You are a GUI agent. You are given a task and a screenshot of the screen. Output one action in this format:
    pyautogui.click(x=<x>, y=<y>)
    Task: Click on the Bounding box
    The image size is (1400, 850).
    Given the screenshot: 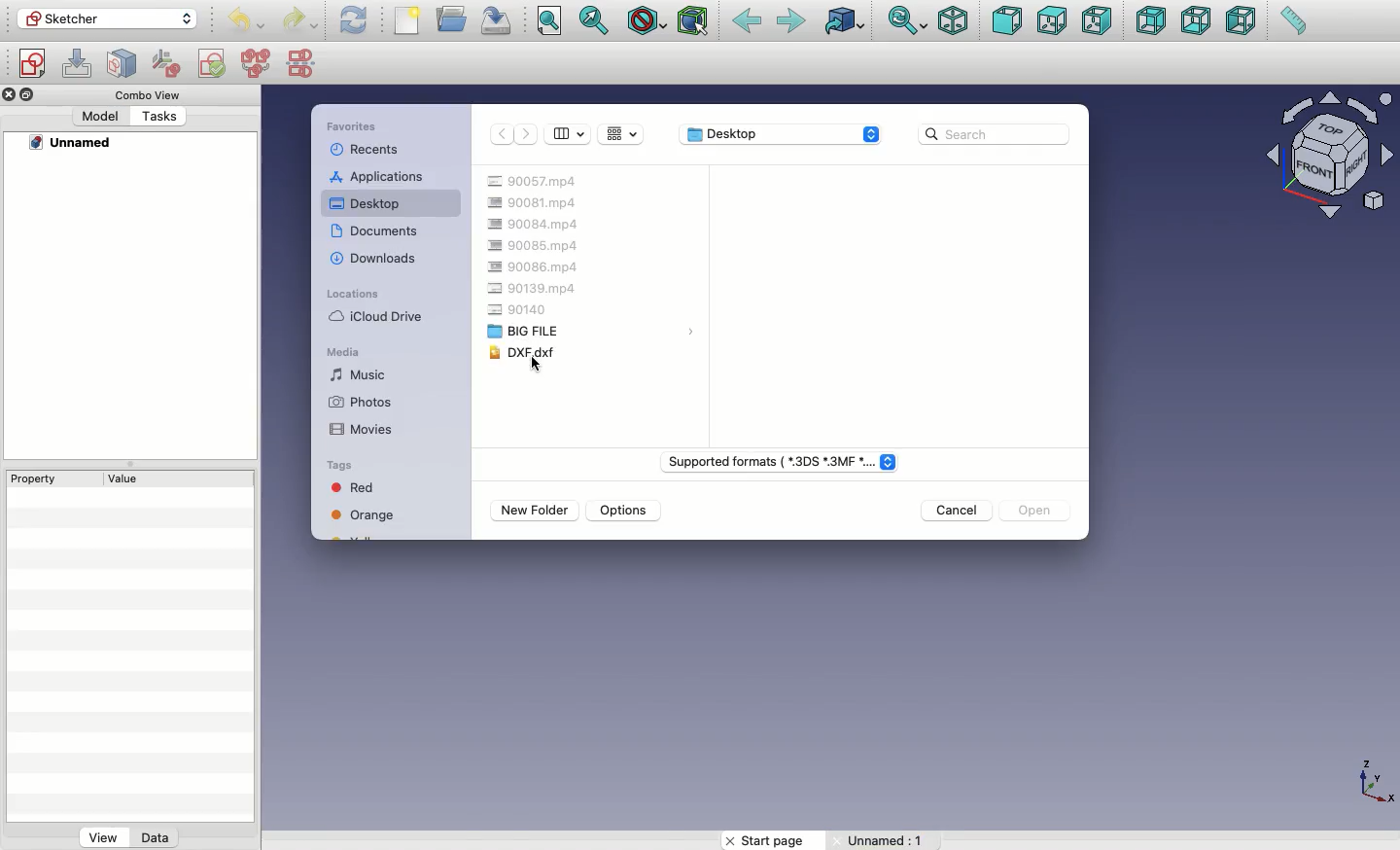 What is the action you would take?
    pyautogui.click(x=695, y=20)
    